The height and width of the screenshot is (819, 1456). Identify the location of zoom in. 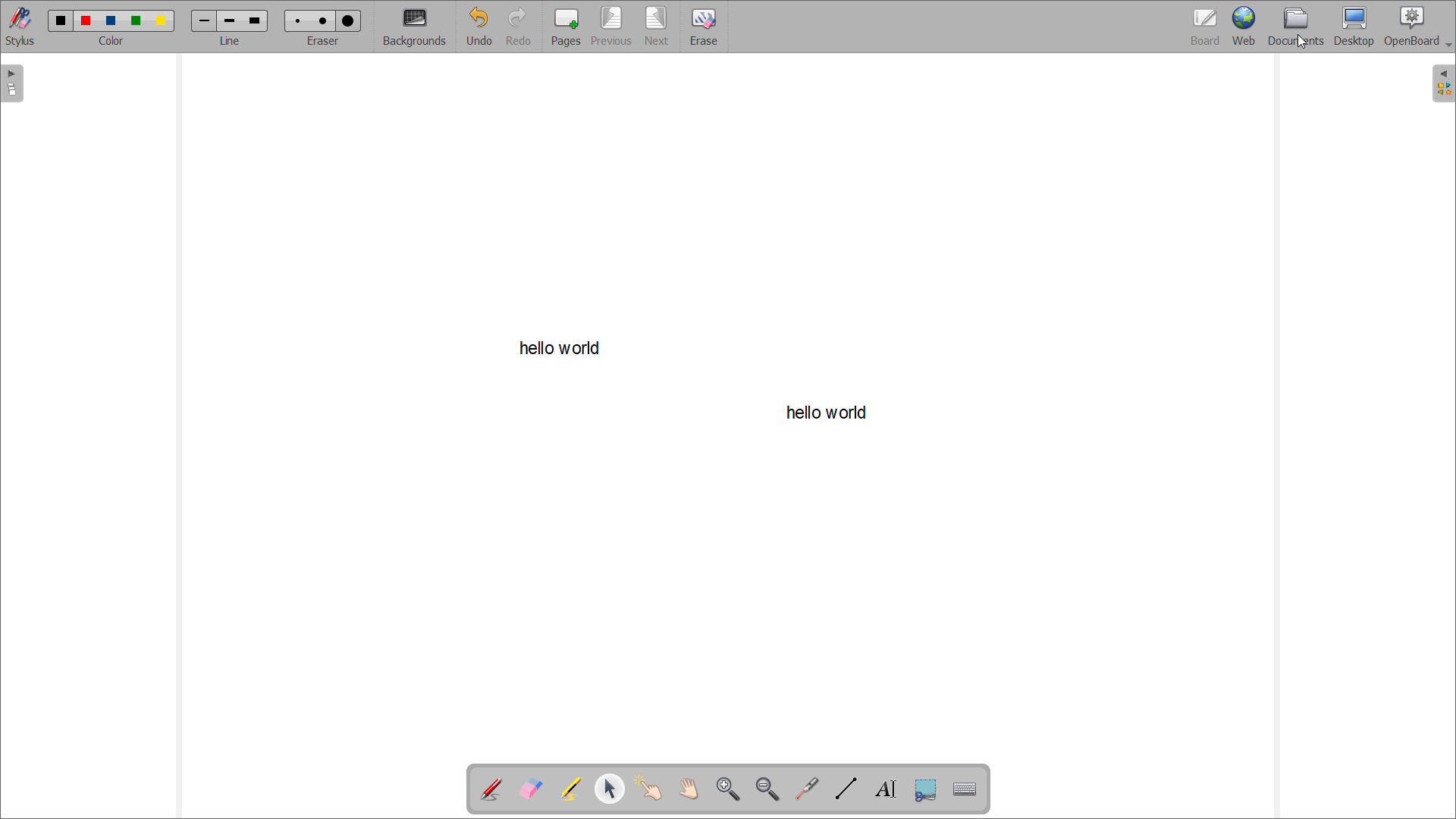
(729, 789).